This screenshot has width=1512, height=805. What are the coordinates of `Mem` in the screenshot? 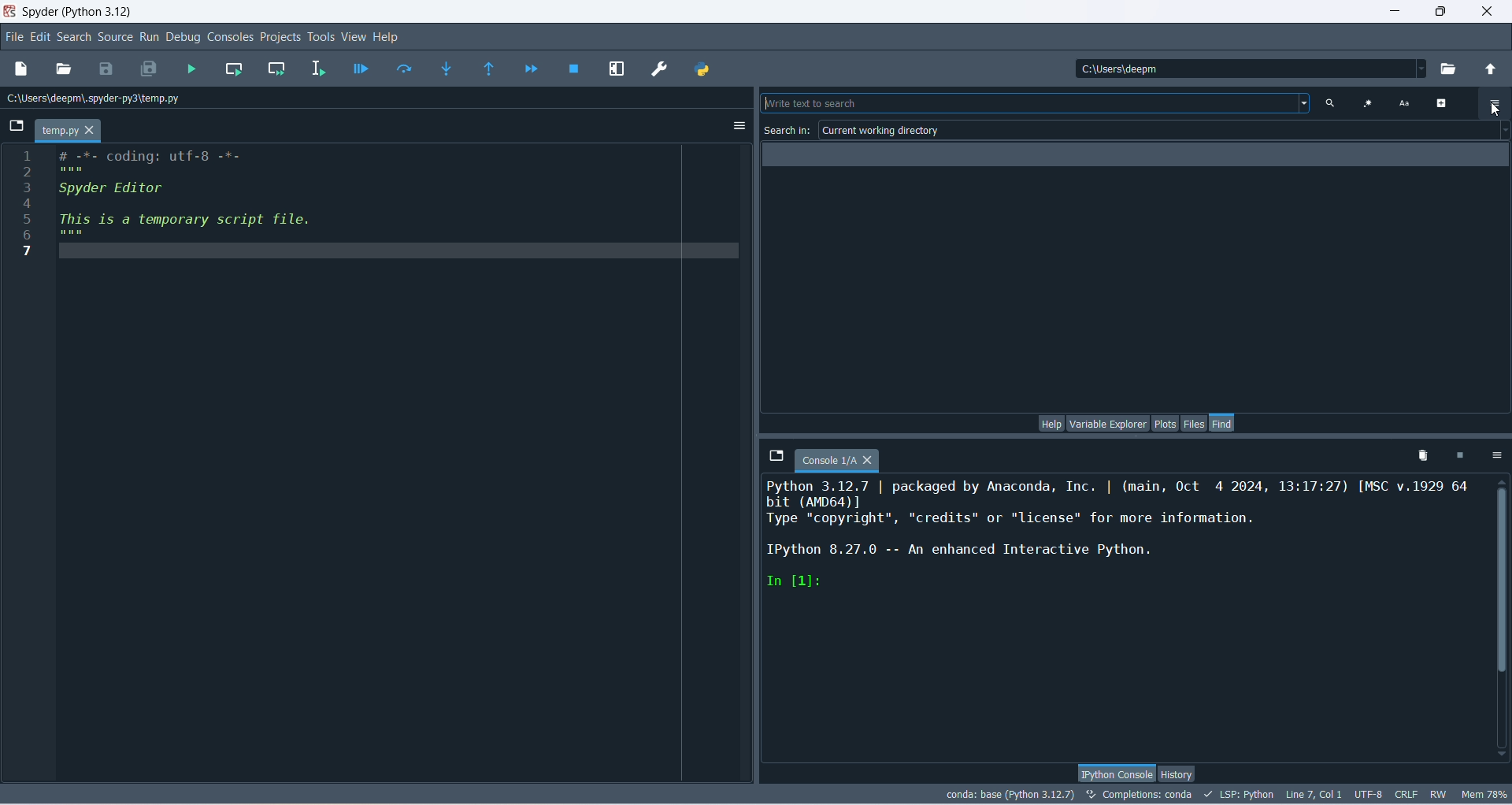 It's located at (1483, 793).